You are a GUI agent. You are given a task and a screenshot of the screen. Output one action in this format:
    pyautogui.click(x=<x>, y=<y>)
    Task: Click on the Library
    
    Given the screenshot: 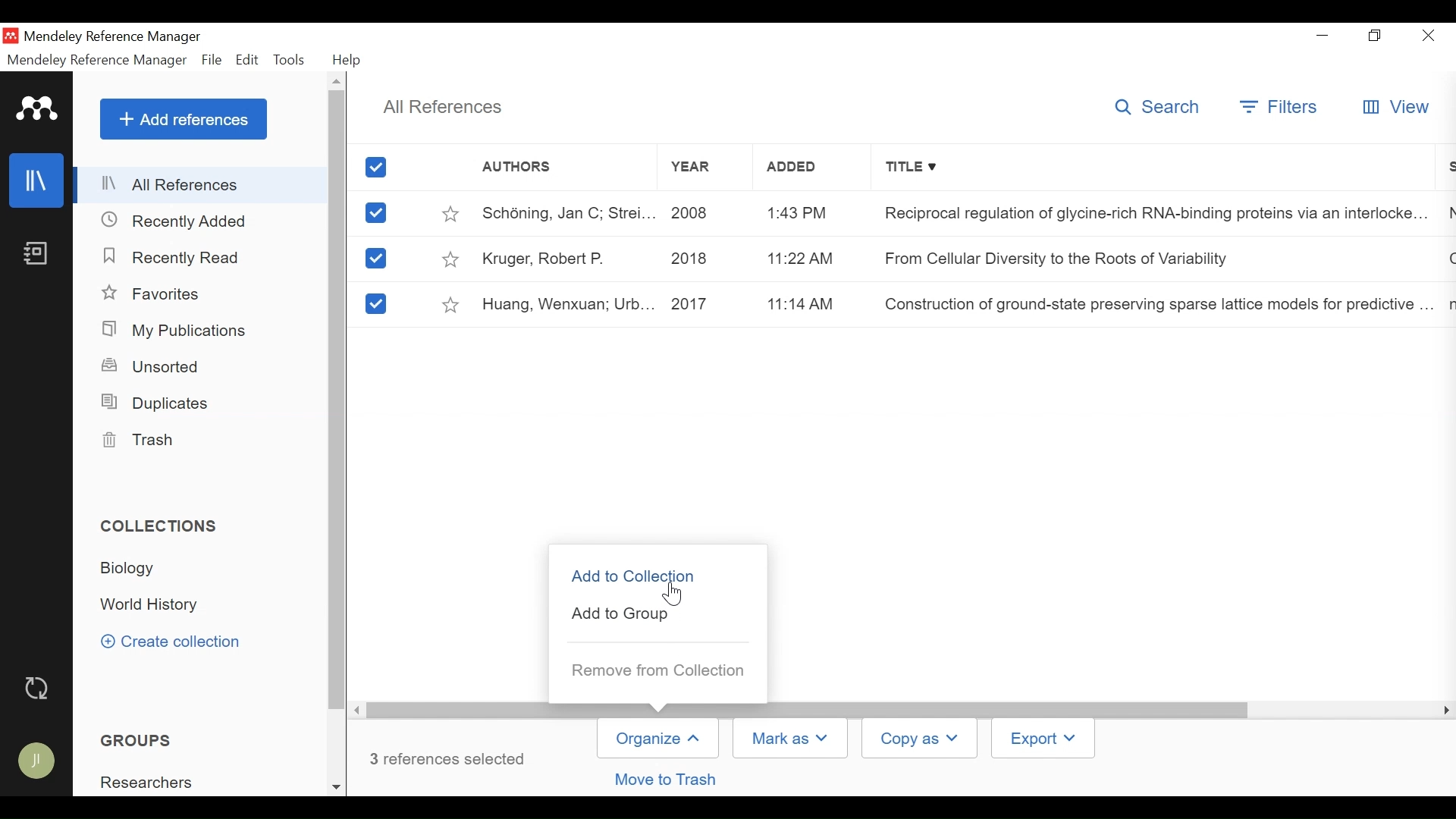 What is the action you would take?
    pyautogui.click(x=36, y=180)
    